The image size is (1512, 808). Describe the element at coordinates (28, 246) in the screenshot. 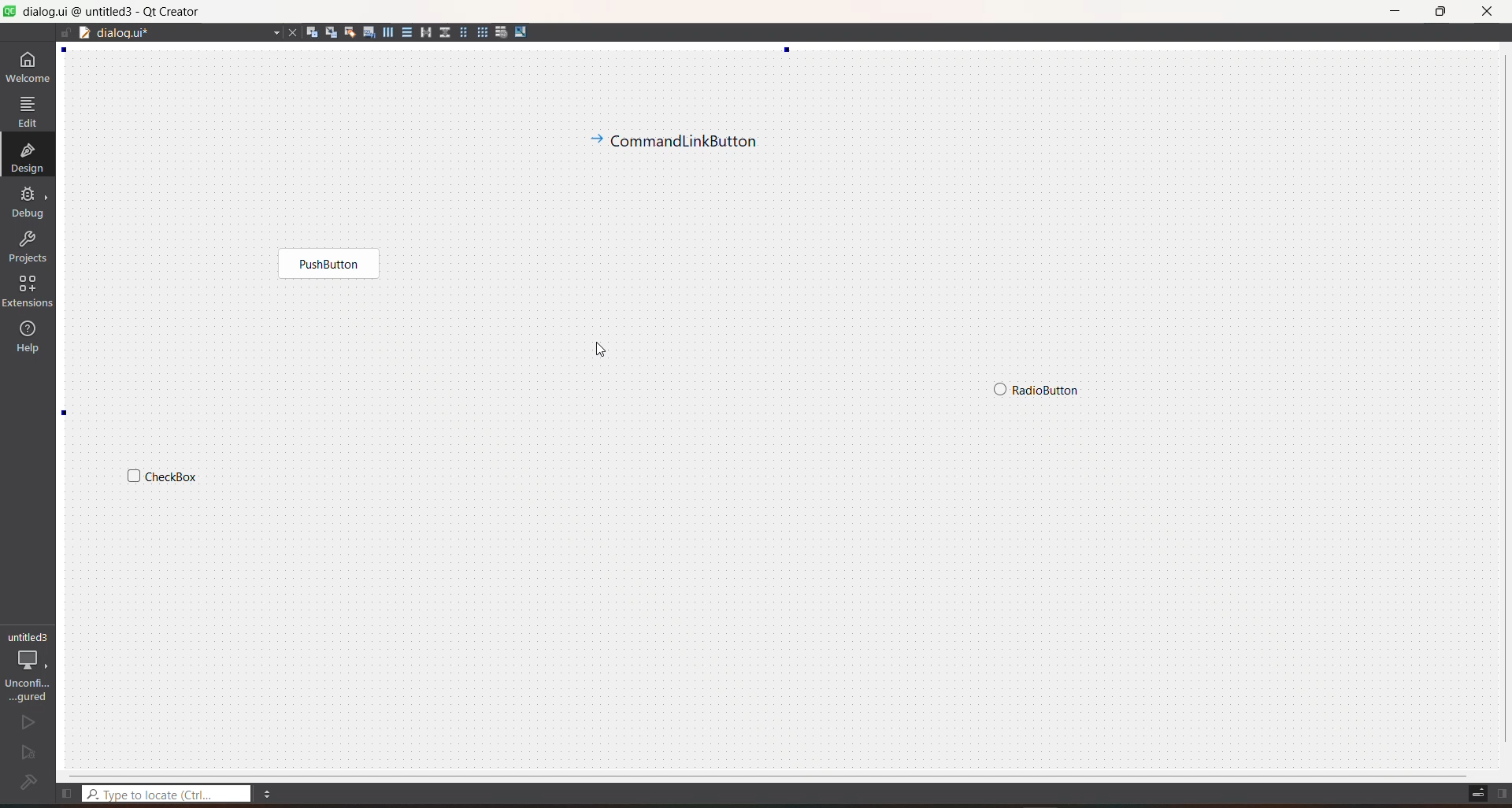

I see `projects` at that location.